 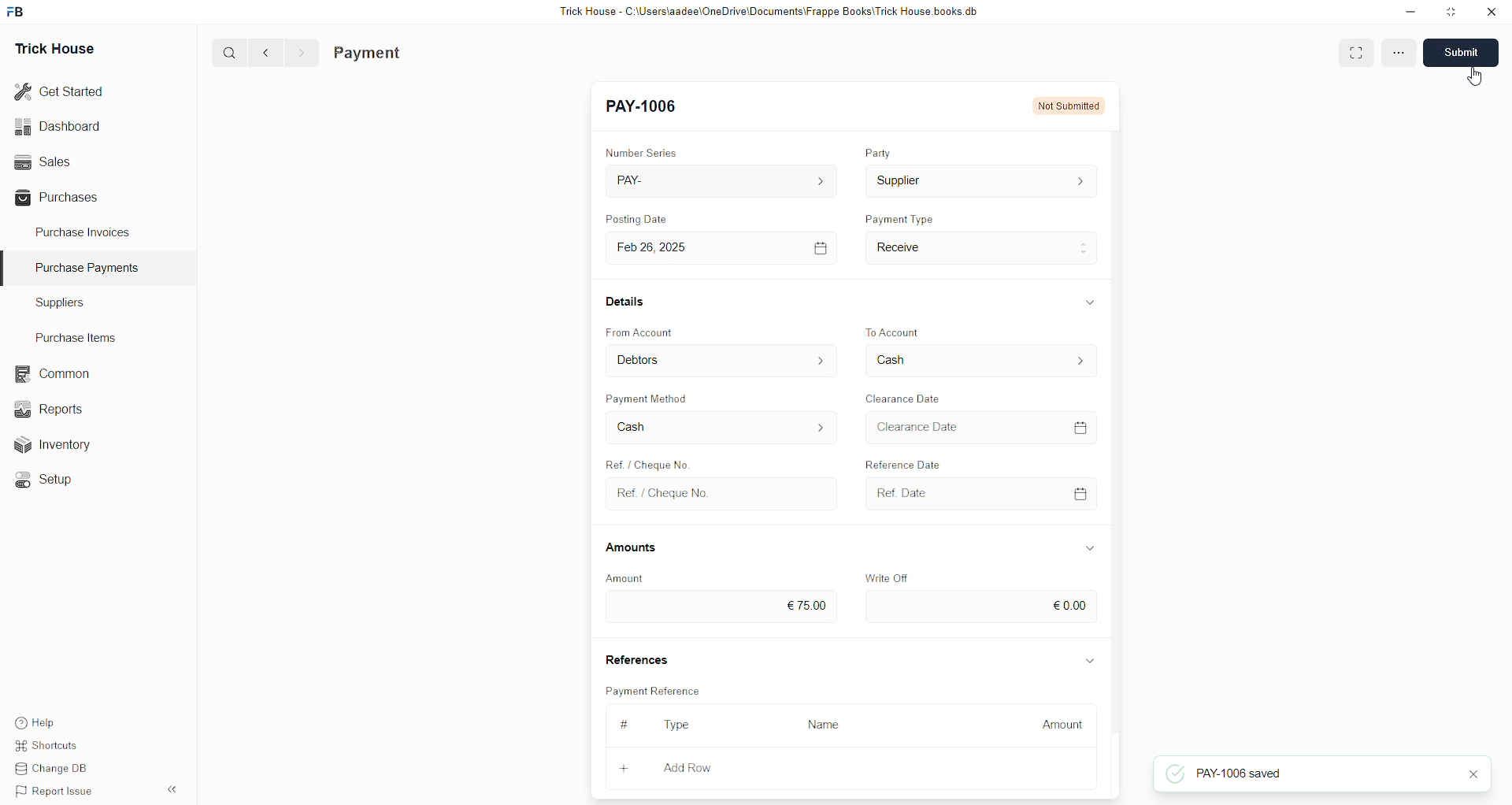 I want to click on Details, so click(x=625, y=302).